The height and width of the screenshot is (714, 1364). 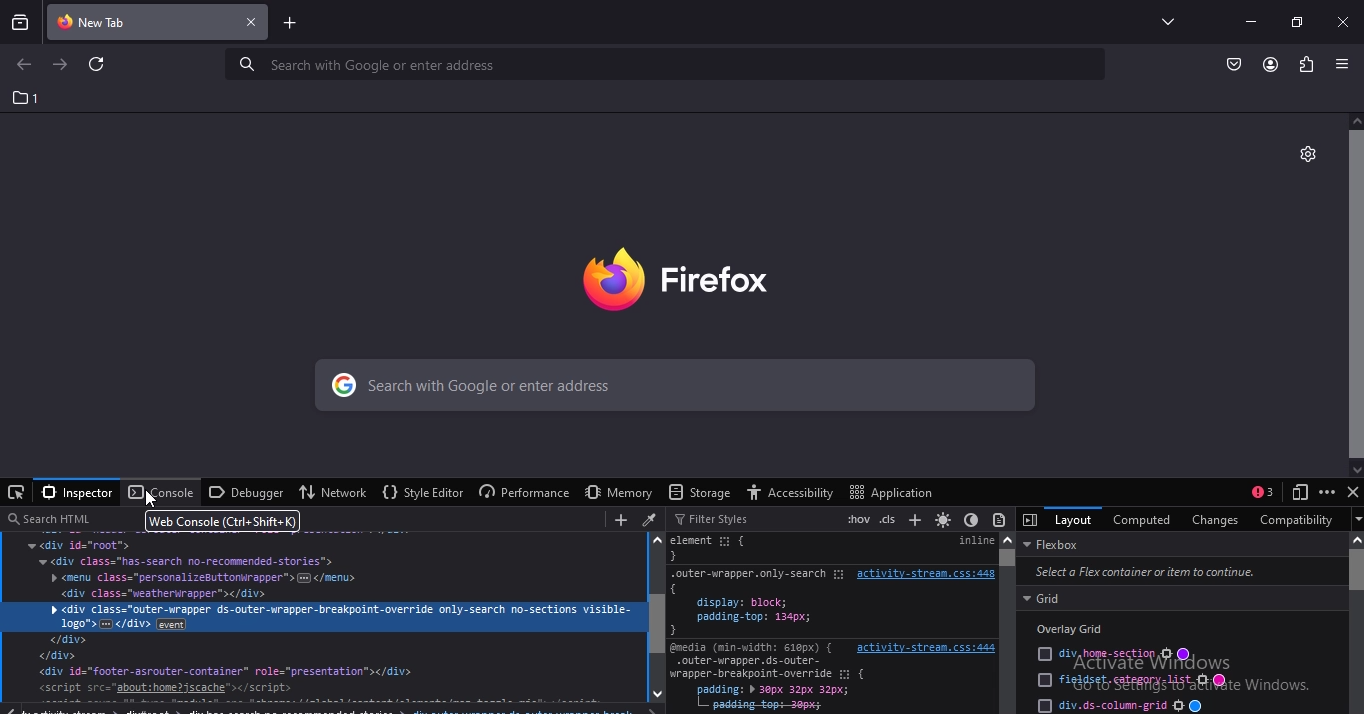 I want to click on scroll bar, so click(x=1357, y=564).